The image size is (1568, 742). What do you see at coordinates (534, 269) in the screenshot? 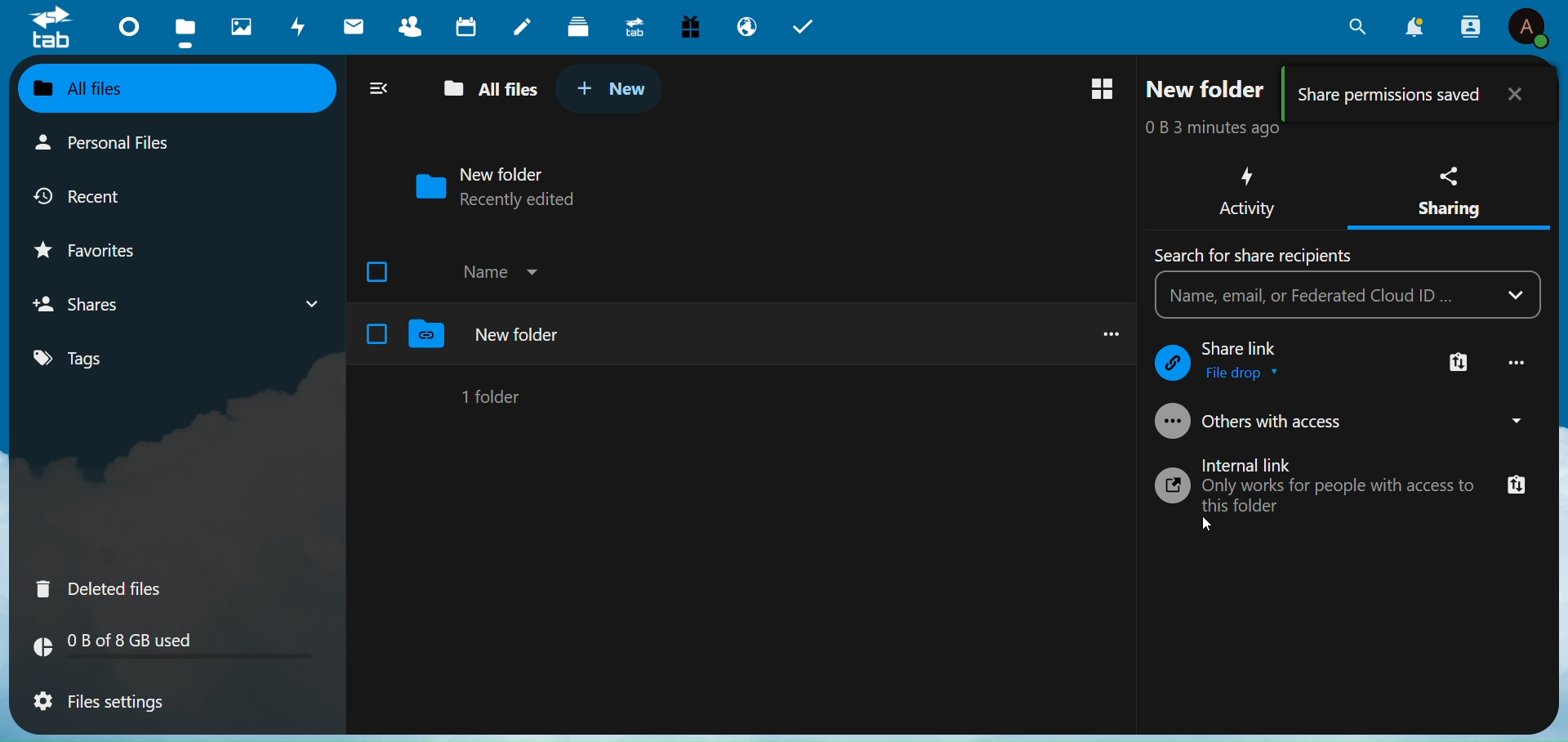
I see `Drop Down` at bounding box center [534, 269].